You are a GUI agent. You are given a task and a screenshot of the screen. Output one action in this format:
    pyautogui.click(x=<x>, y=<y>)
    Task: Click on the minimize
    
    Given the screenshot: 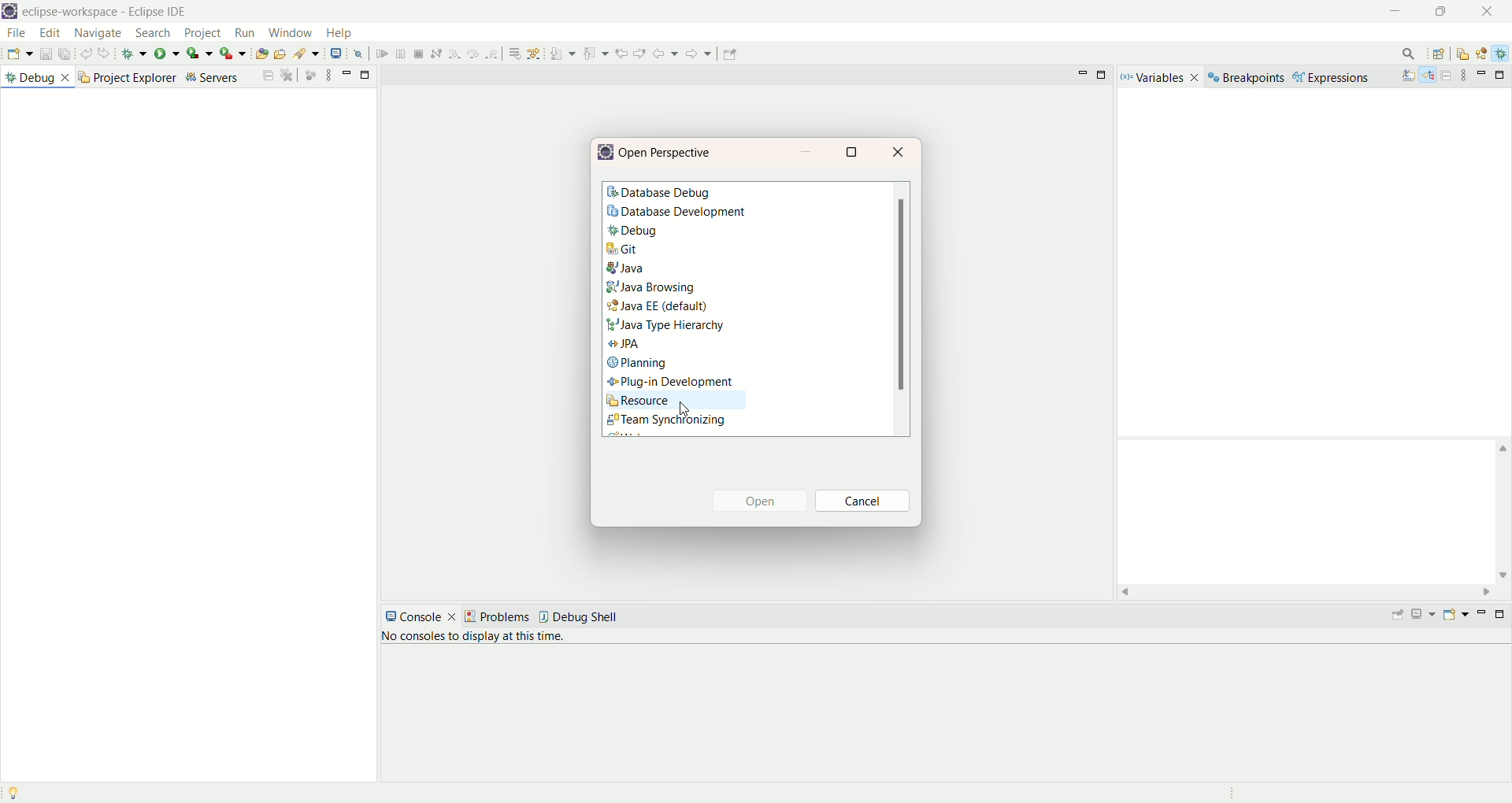 What is the action you would take?
    pyautogui.click(x=1401, y=13)
    